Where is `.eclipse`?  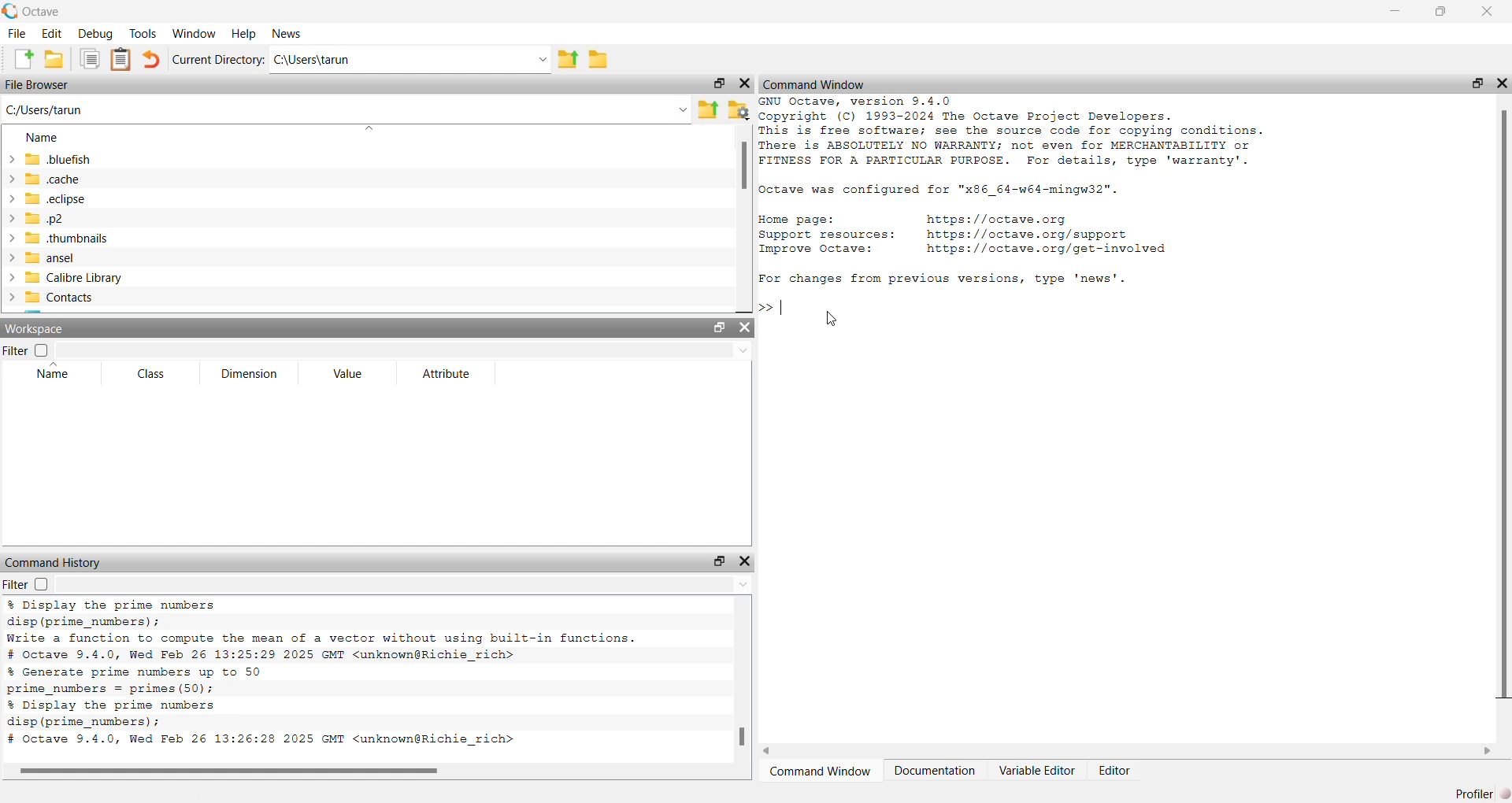 .eclipse is located at coordinates (57, 198).